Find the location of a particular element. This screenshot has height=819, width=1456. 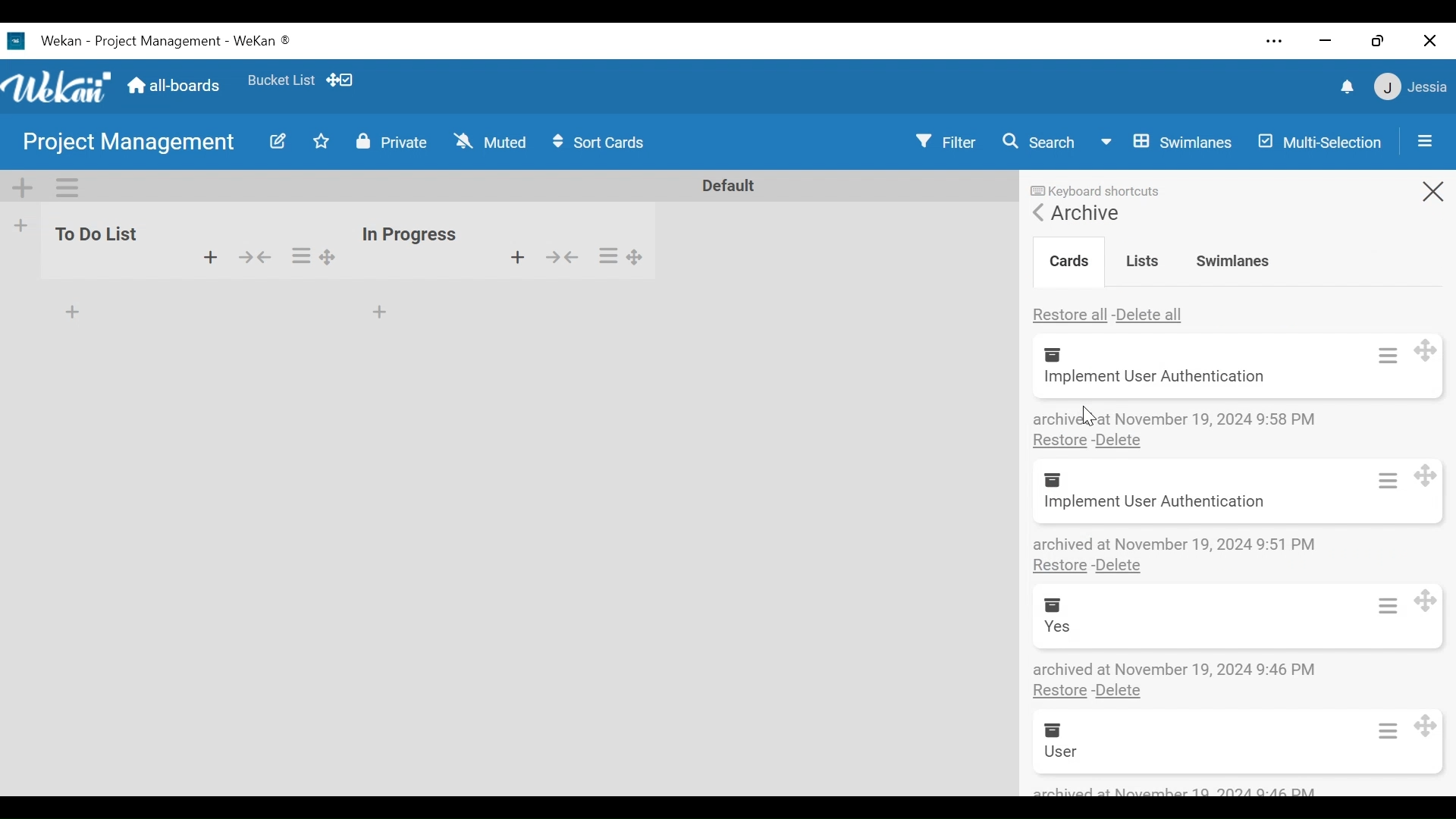

add is located at coordinates (66, 309).